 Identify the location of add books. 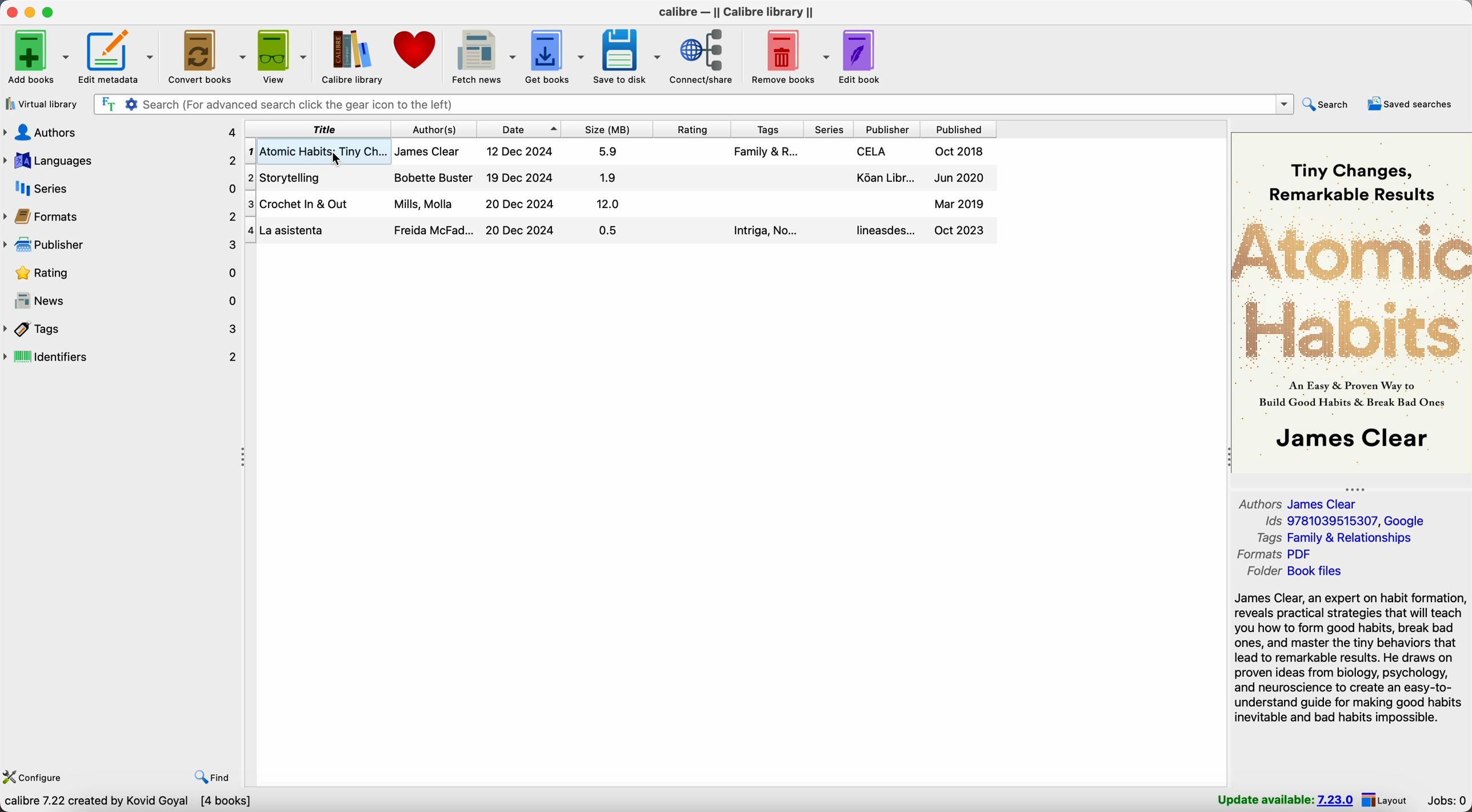
(37, 59).